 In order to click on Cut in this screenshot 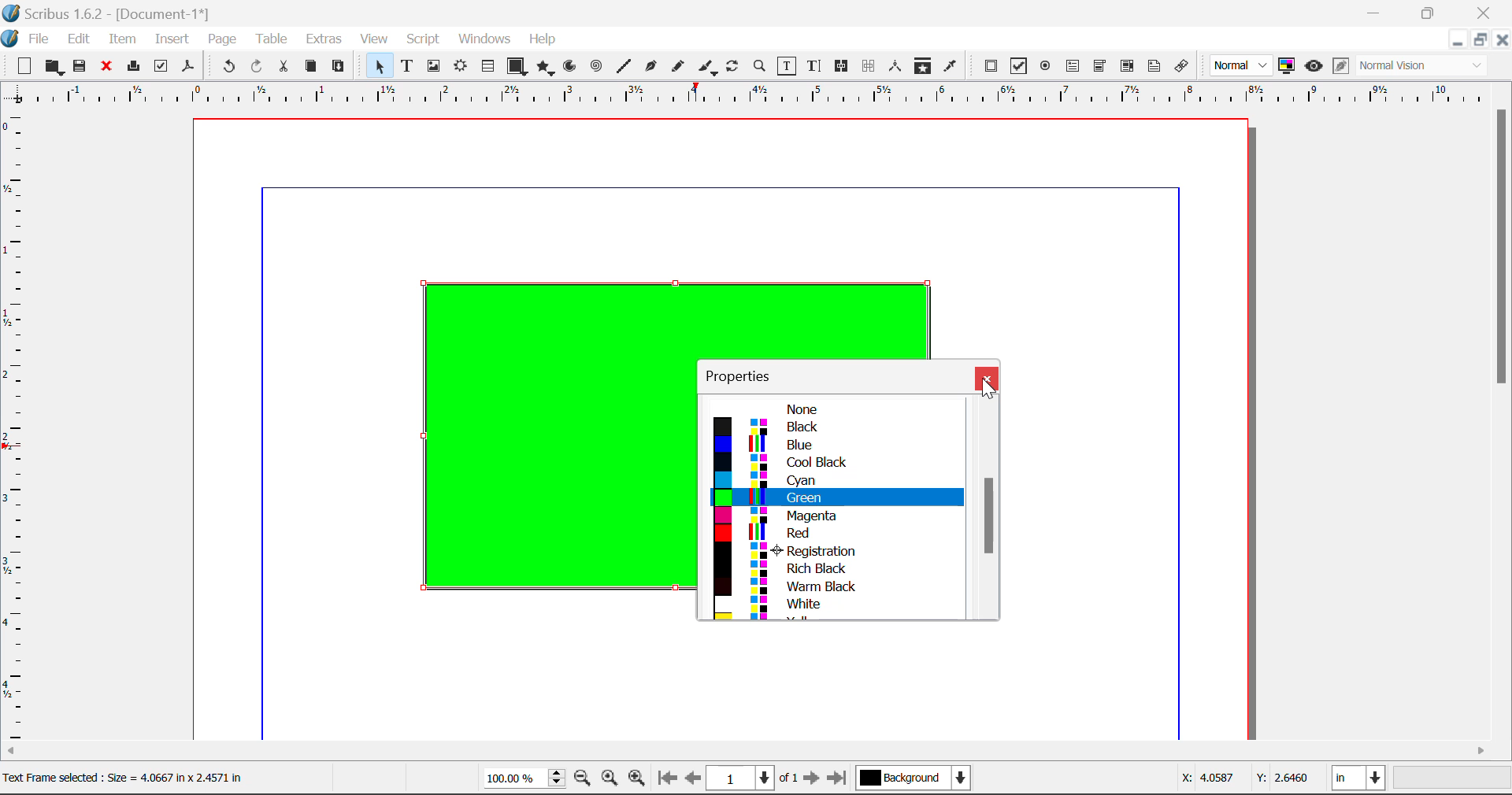, I will do `click(285, 66)`.